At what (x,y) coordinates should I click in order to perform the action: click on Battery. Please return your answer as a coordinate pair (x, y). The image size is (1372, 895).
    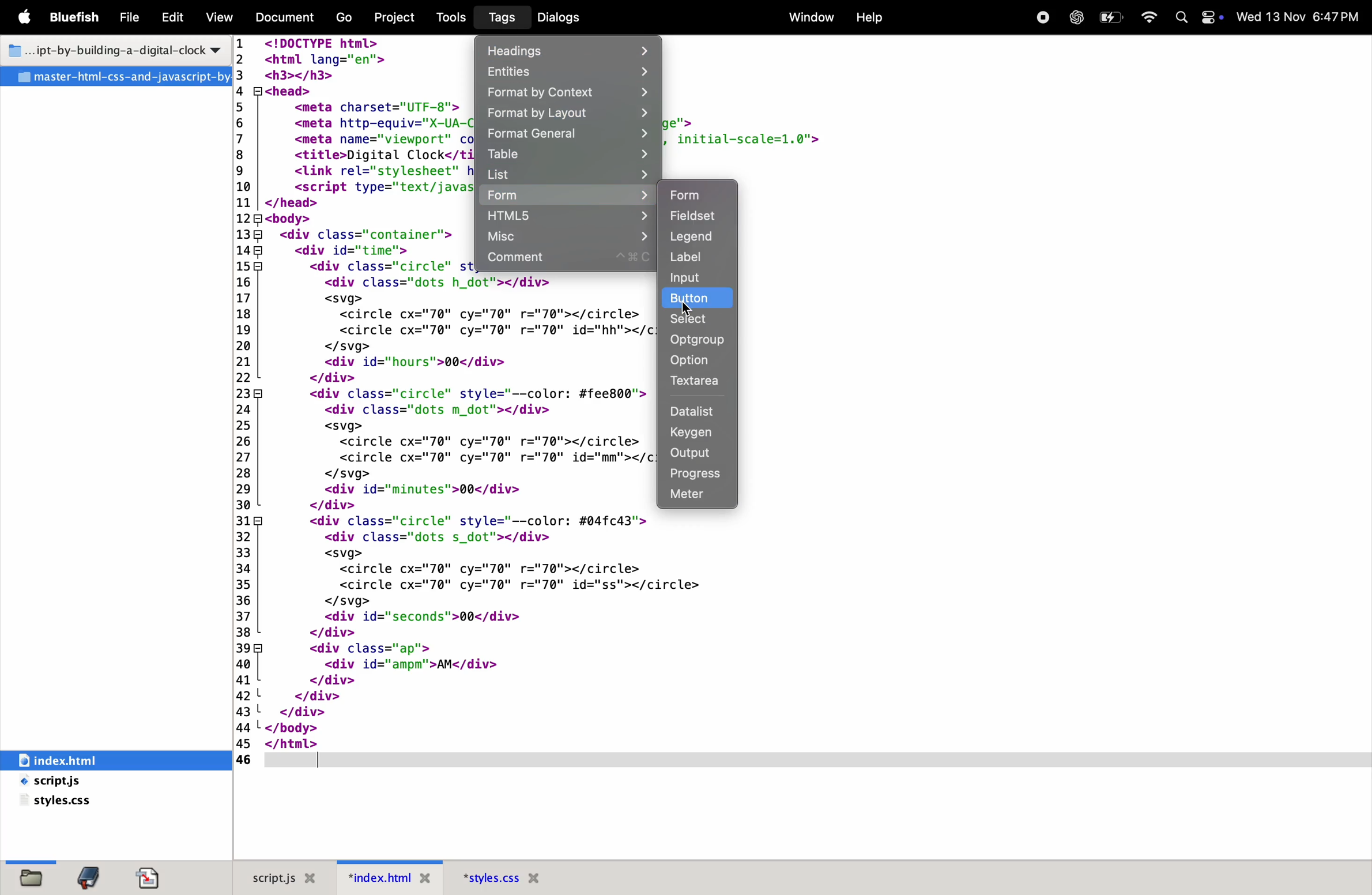
    Looking at the image, I should click on (1113, 16).